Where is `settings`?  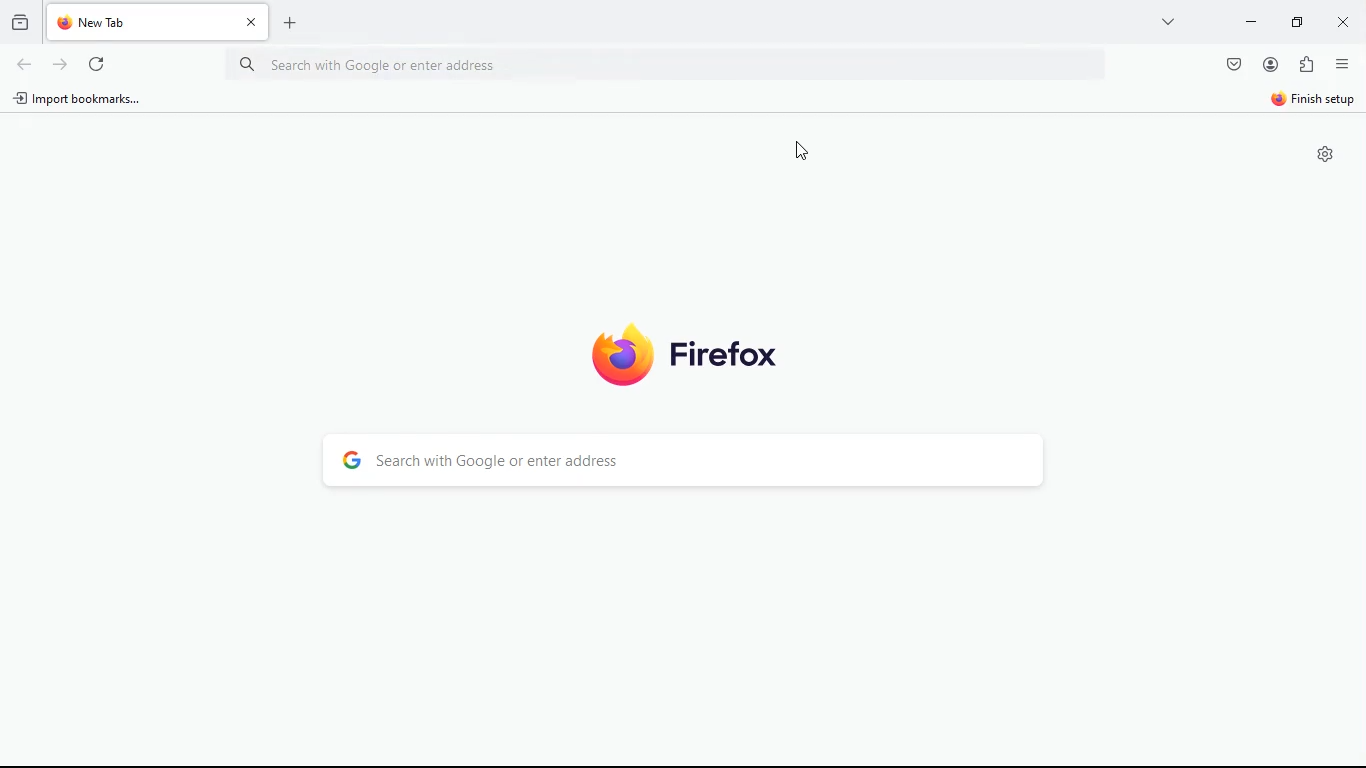 settings is located at coordinates (1321, 156).